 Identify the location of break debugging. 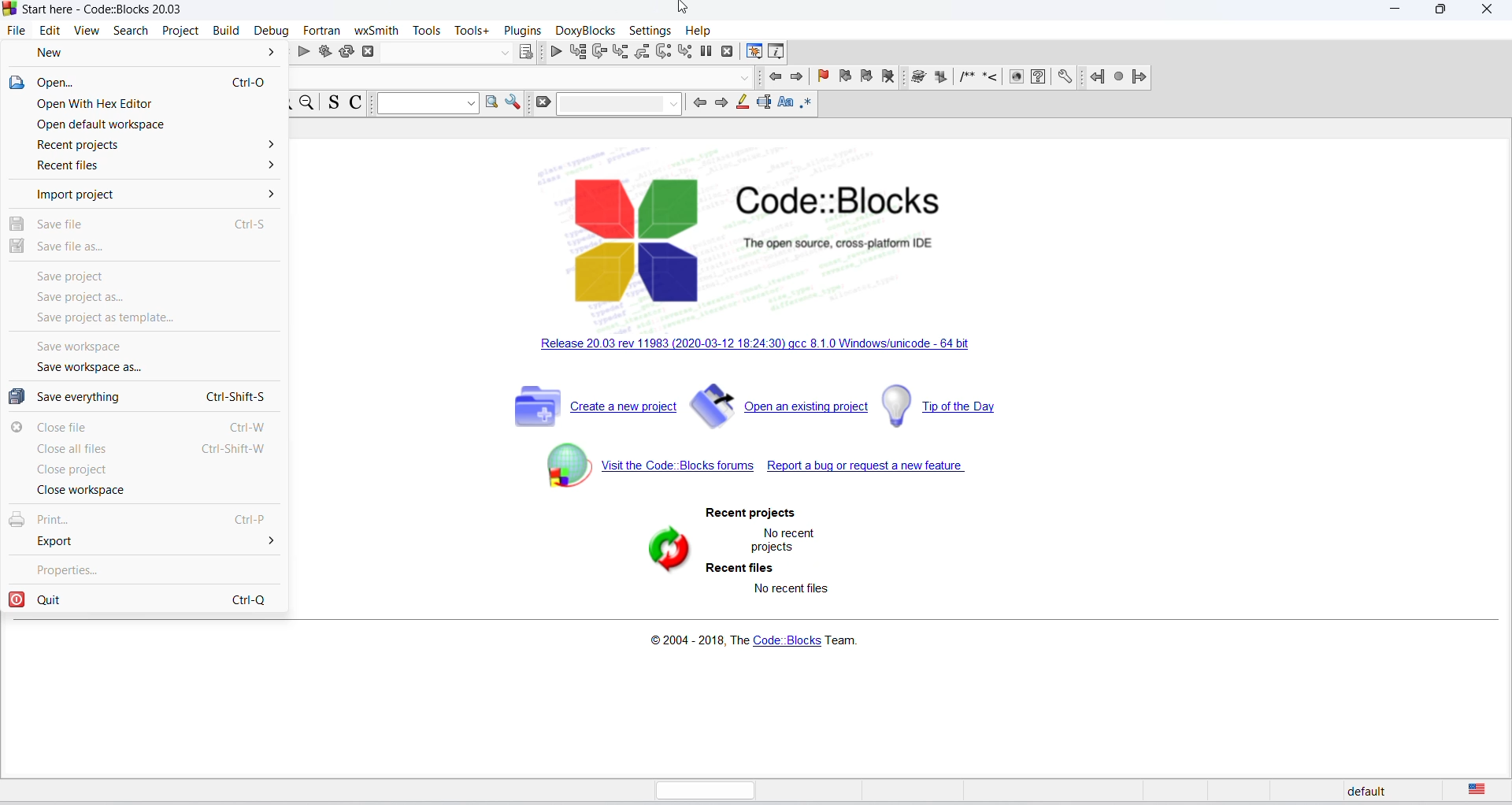
(706, 52).